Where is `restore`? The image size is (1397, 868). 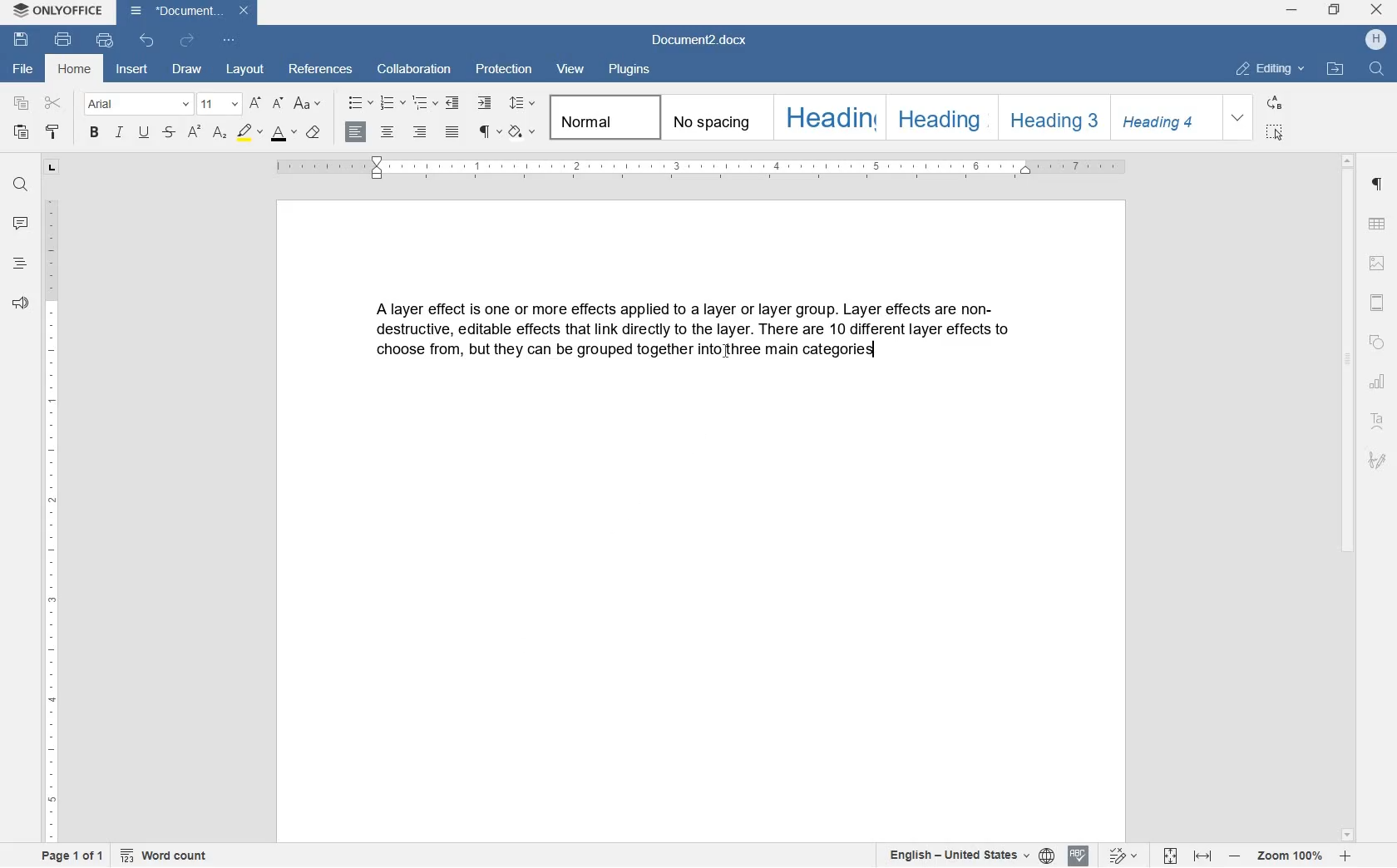
restore is located at coordinates (1333, 11).